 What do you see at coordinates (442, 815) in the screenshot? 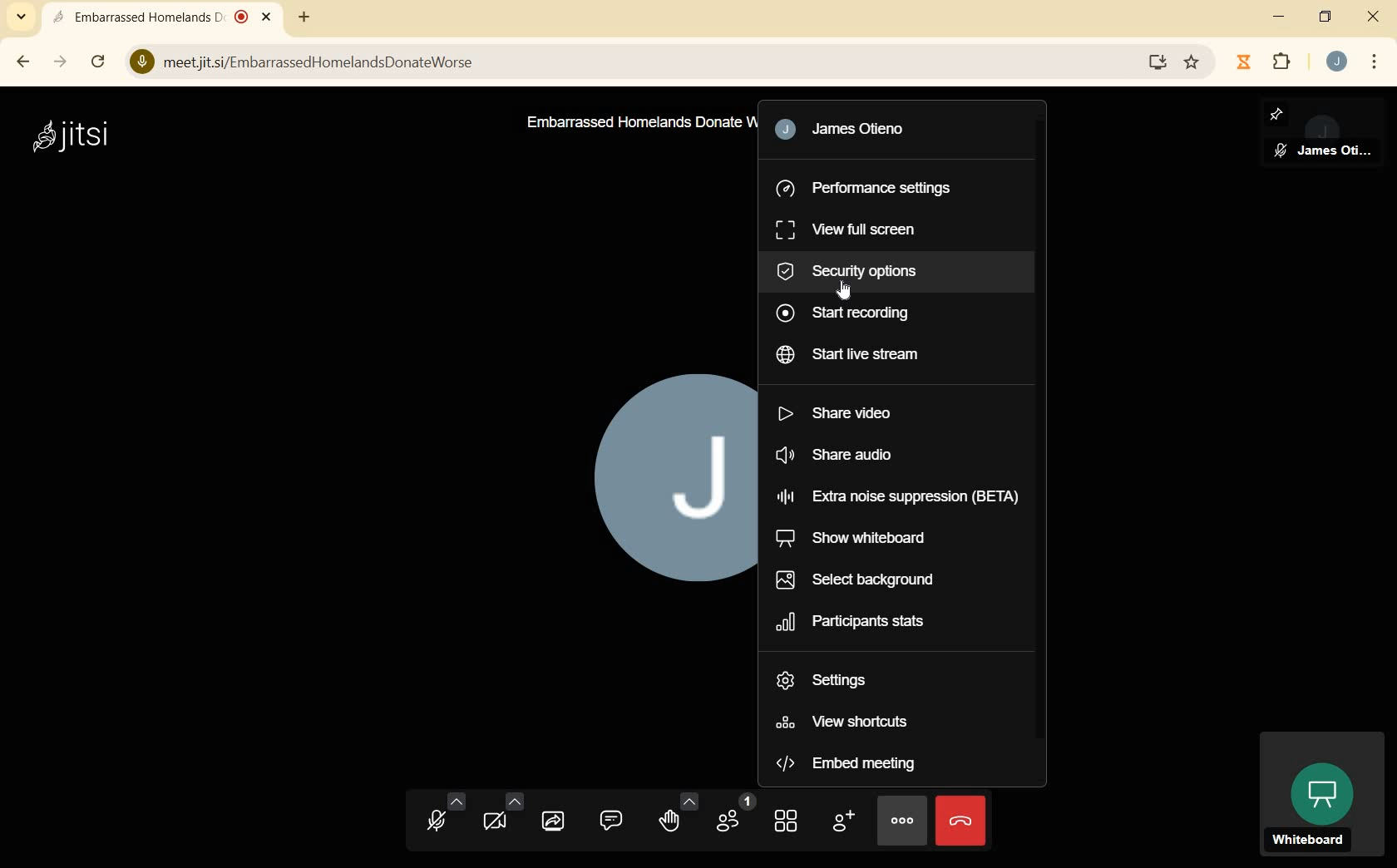
I see `microphone` at bounding box center [442, 815].